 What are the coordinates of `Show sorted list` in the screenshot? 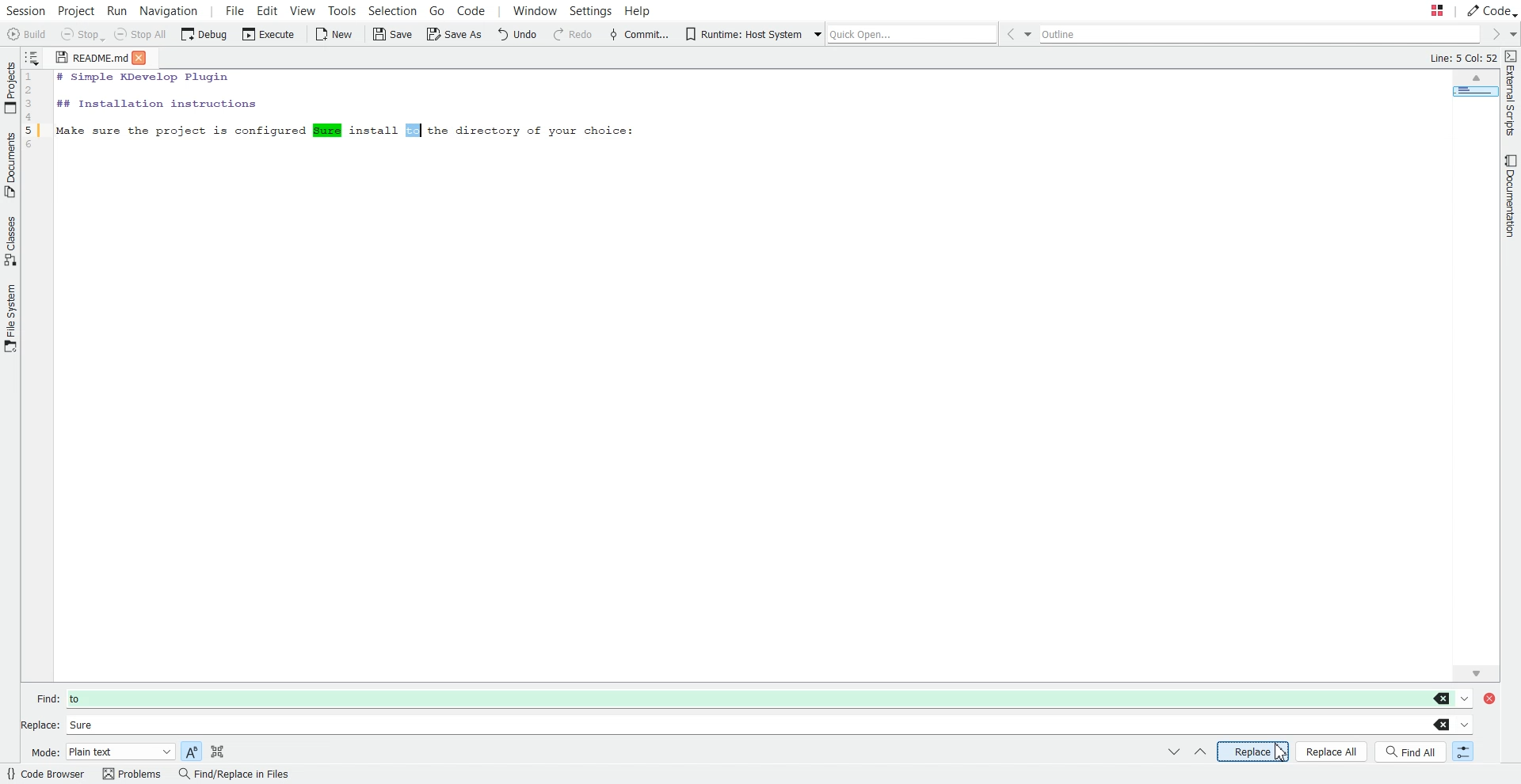 It's located at (33, 56).